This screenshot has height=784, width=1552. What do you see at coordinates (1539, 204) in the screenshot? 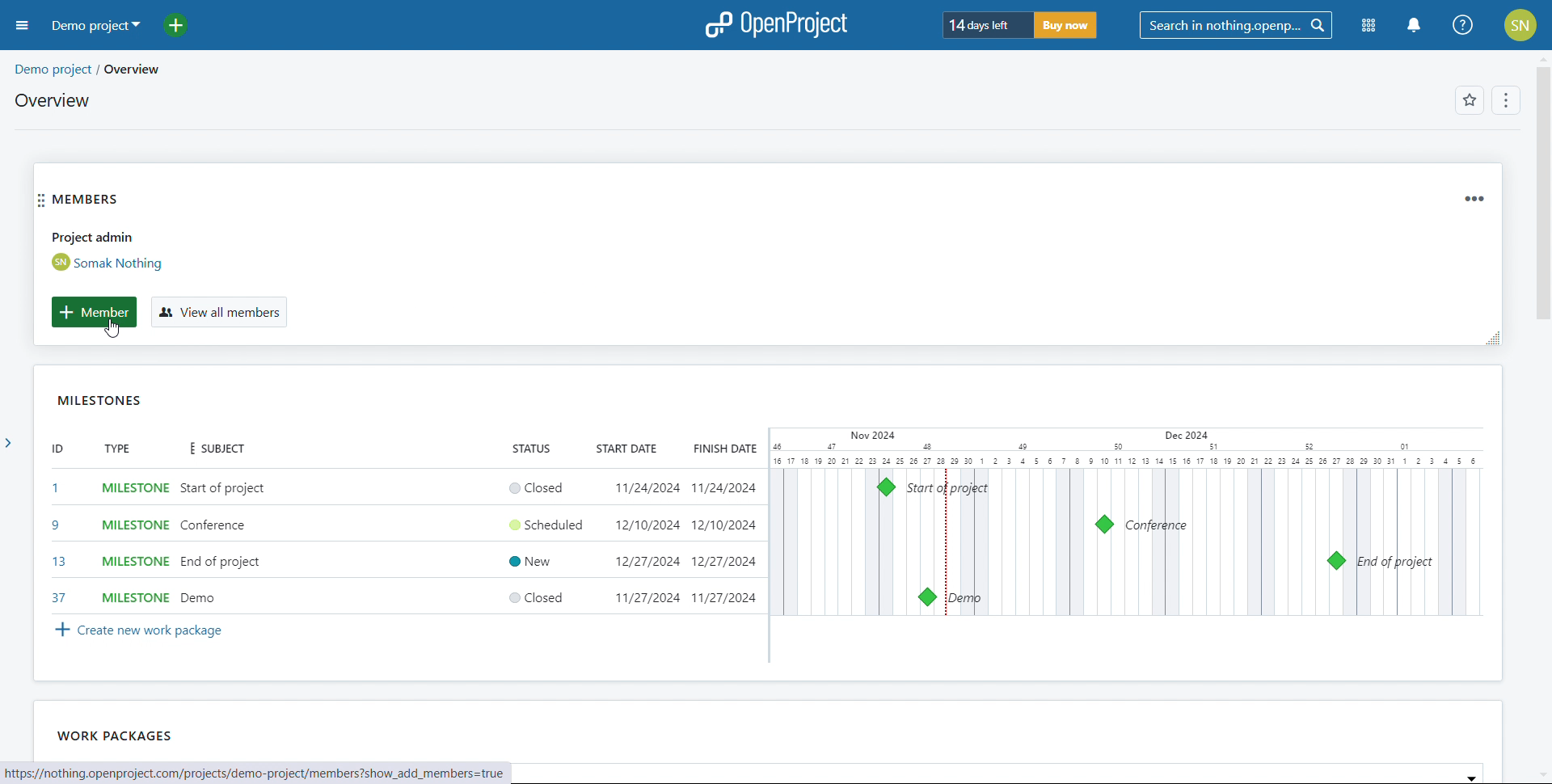
I see `vertical scroll bar` at bounding box center [1539, 204].